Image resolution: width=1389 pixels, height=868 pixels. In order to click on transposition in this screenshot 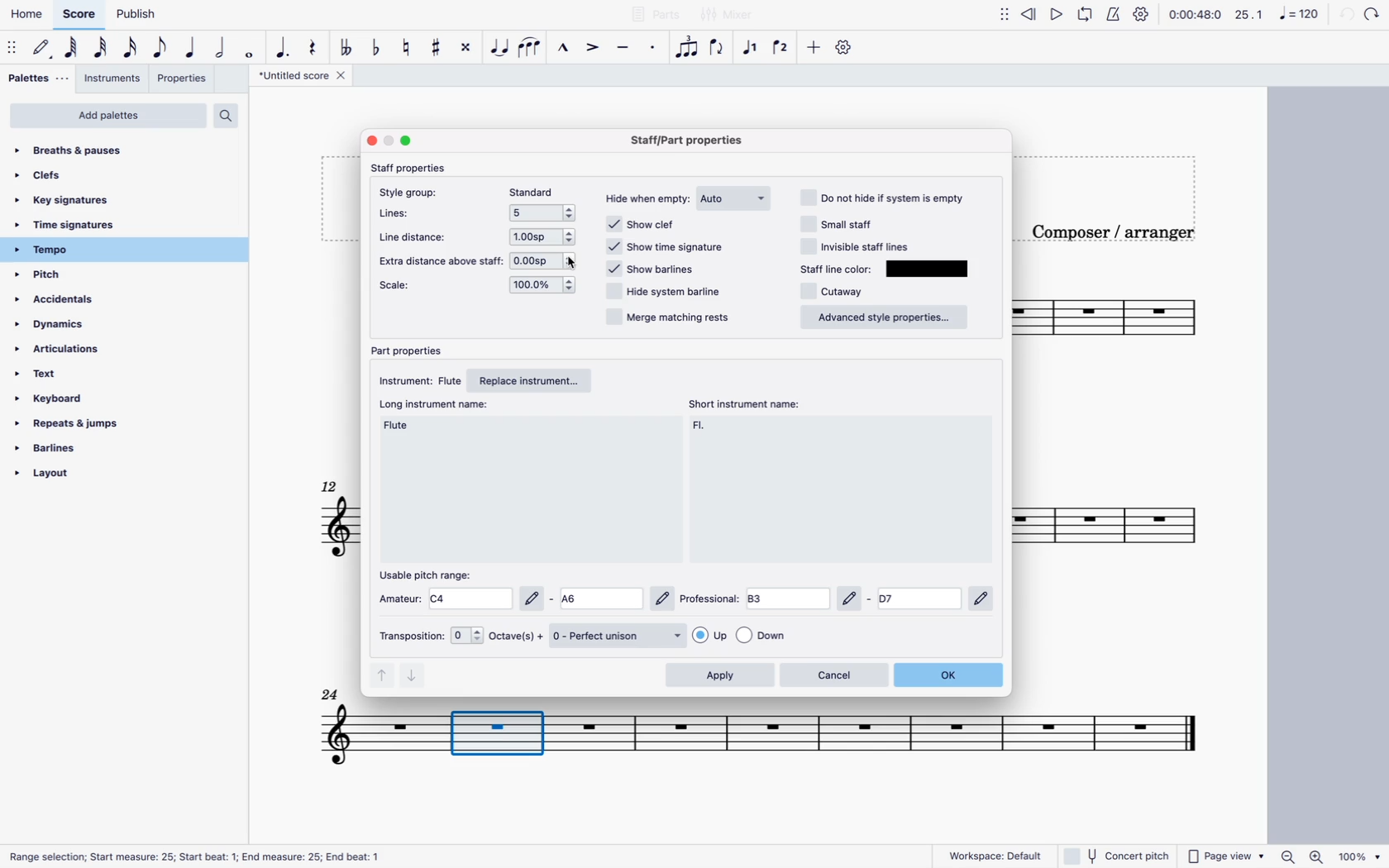, I will do `click(430, 636)`.